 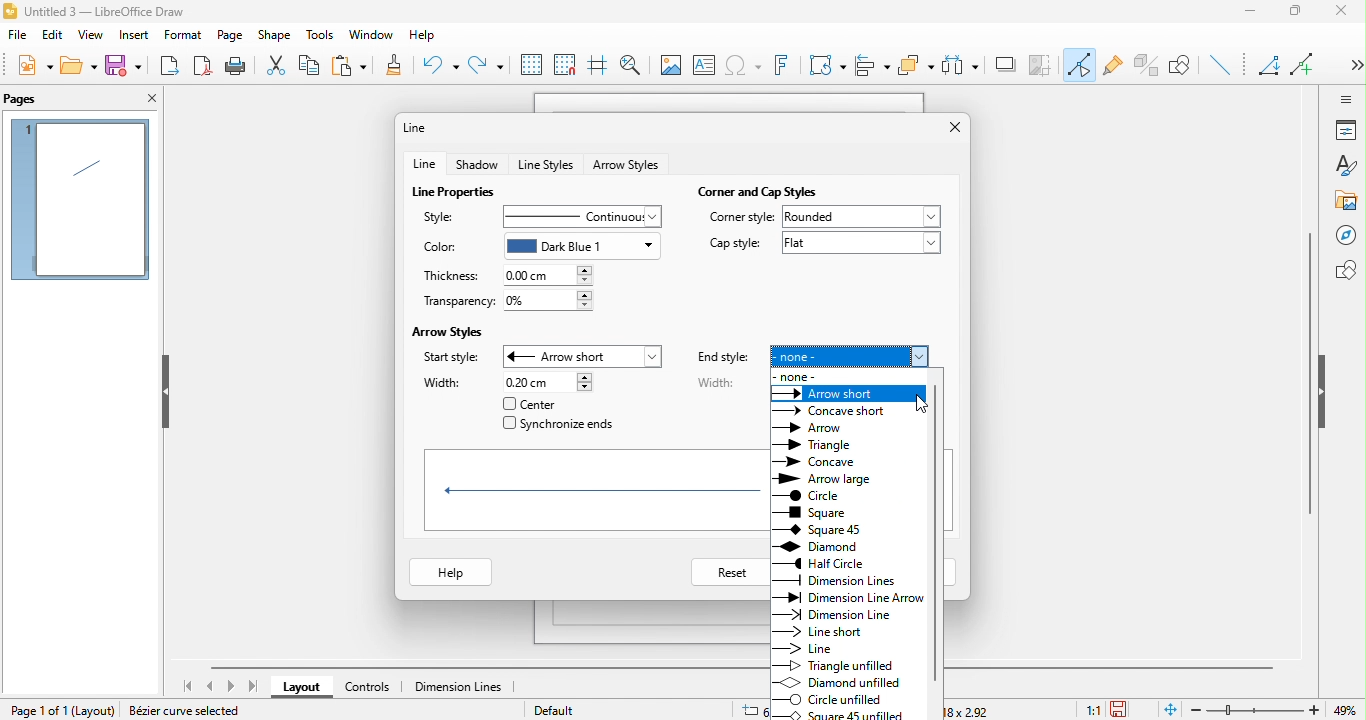 I want to click on close, so click(x=149, y=100).